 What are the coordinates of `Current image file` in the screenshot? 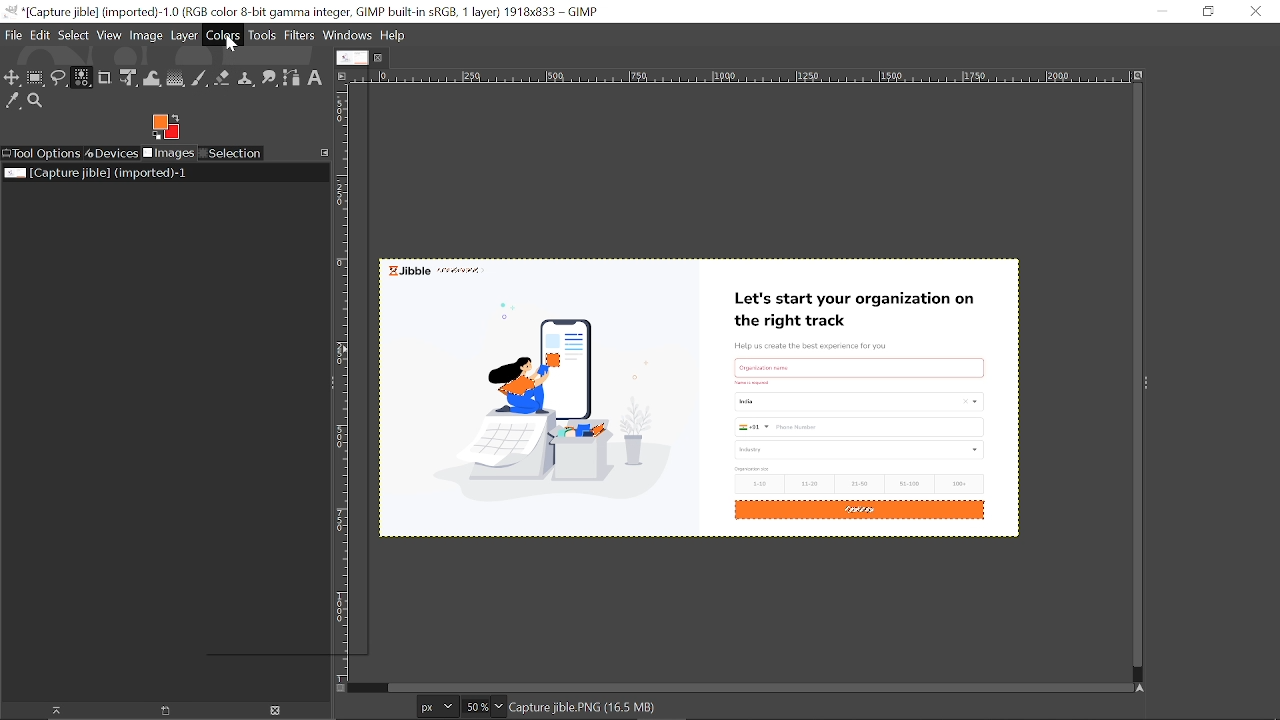 It's located at (97, 172).